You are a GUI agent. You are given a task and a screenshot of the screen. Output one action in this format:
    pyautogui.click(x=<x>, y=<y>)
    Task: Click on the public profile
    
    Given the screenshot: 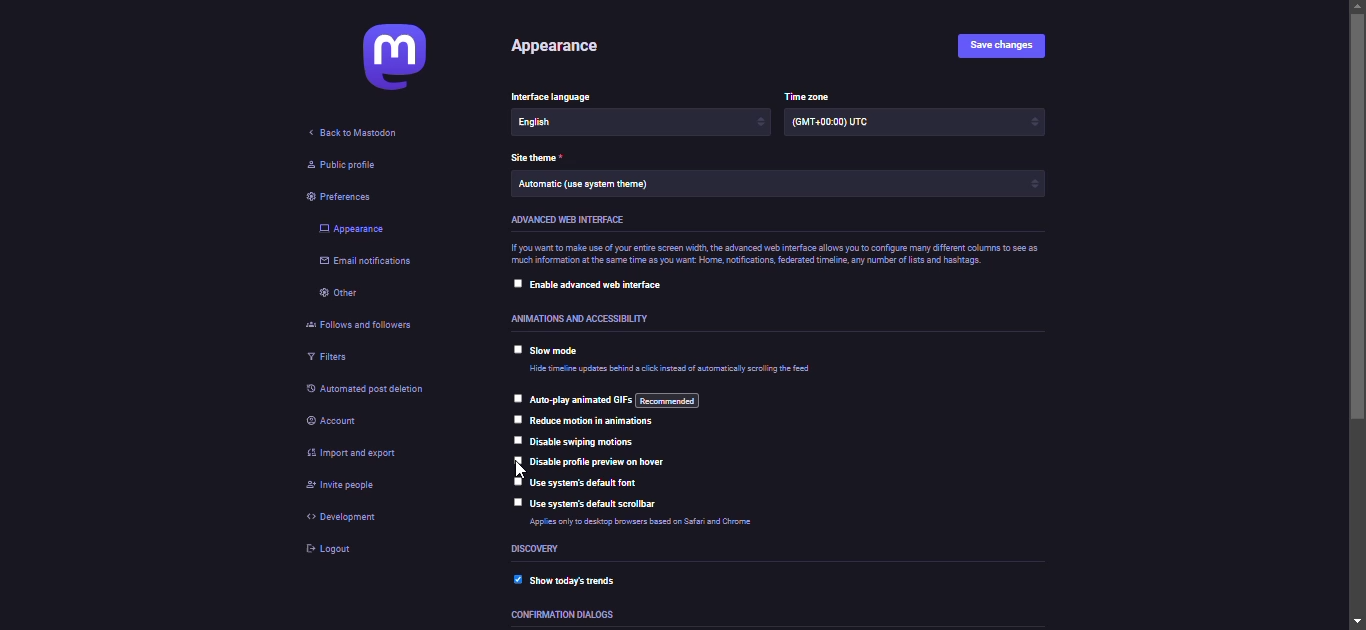 What is the action you would take?
    pyautogui.click(x=341, y=166)
    